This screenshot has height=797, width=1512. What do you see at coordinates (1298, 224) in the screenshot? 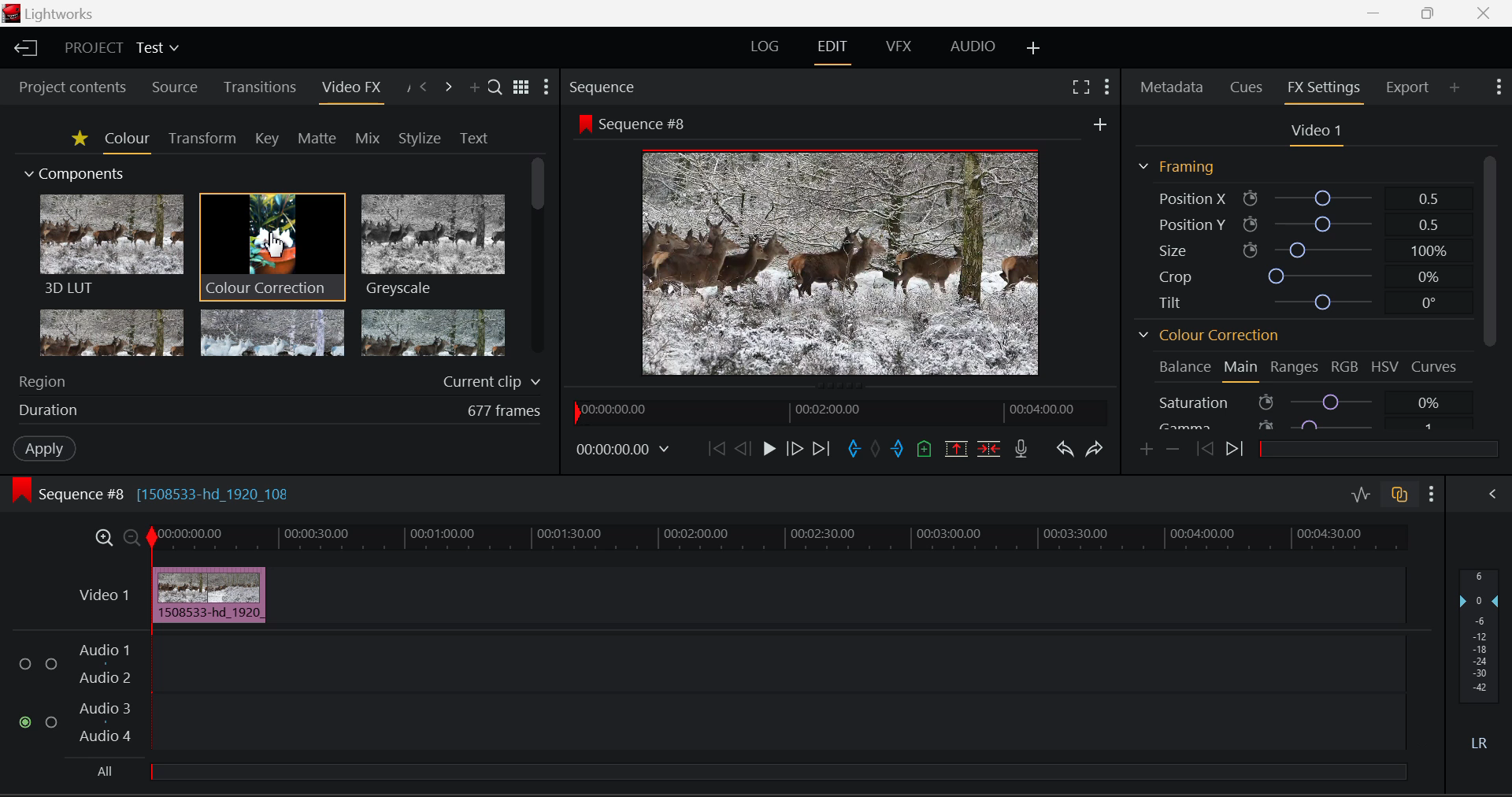
I see `Position Y` at bounding box center [1298, 224].